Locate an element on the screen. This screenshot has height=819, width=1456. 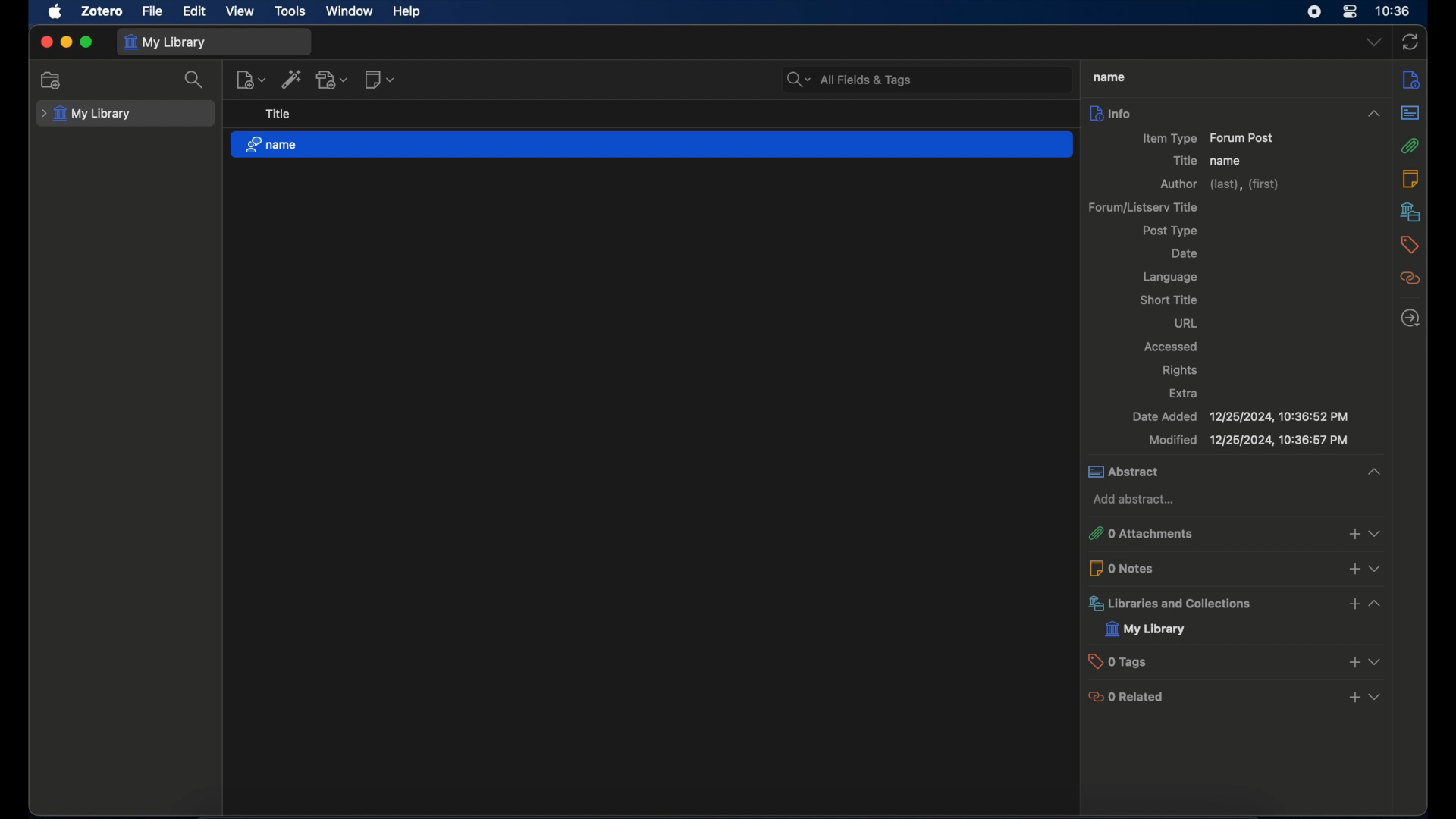
title is located at coordinates (278, 113).